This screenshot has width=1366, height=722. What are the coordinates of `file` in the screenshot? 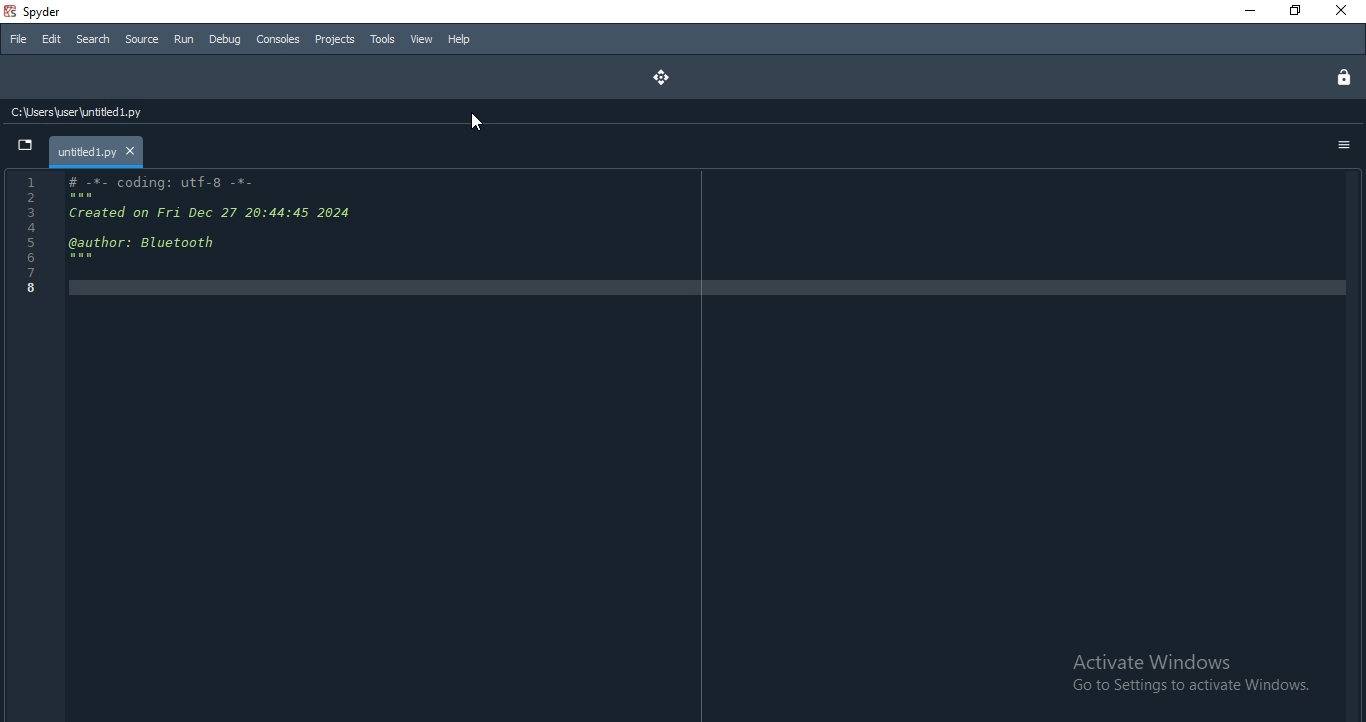 It's located at (19, 37).